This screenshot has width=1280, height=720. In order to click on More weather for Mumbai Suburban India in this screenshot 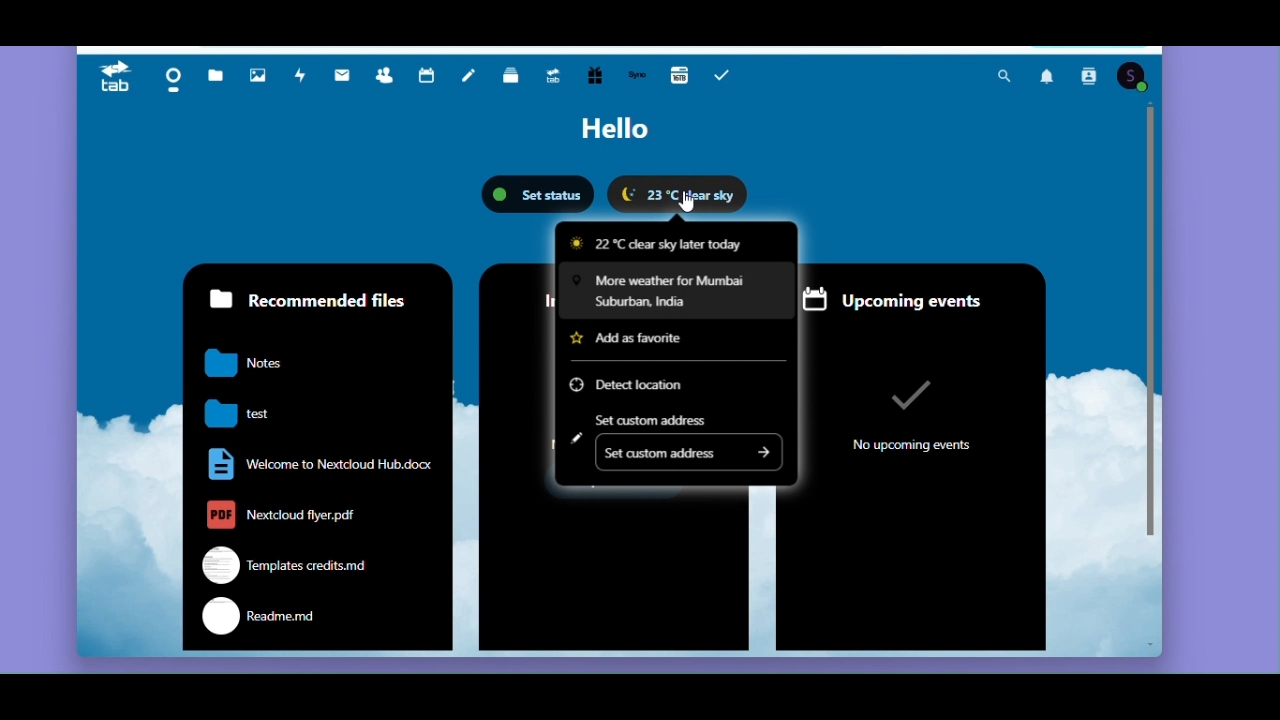, I will do `click(676, 296)`.